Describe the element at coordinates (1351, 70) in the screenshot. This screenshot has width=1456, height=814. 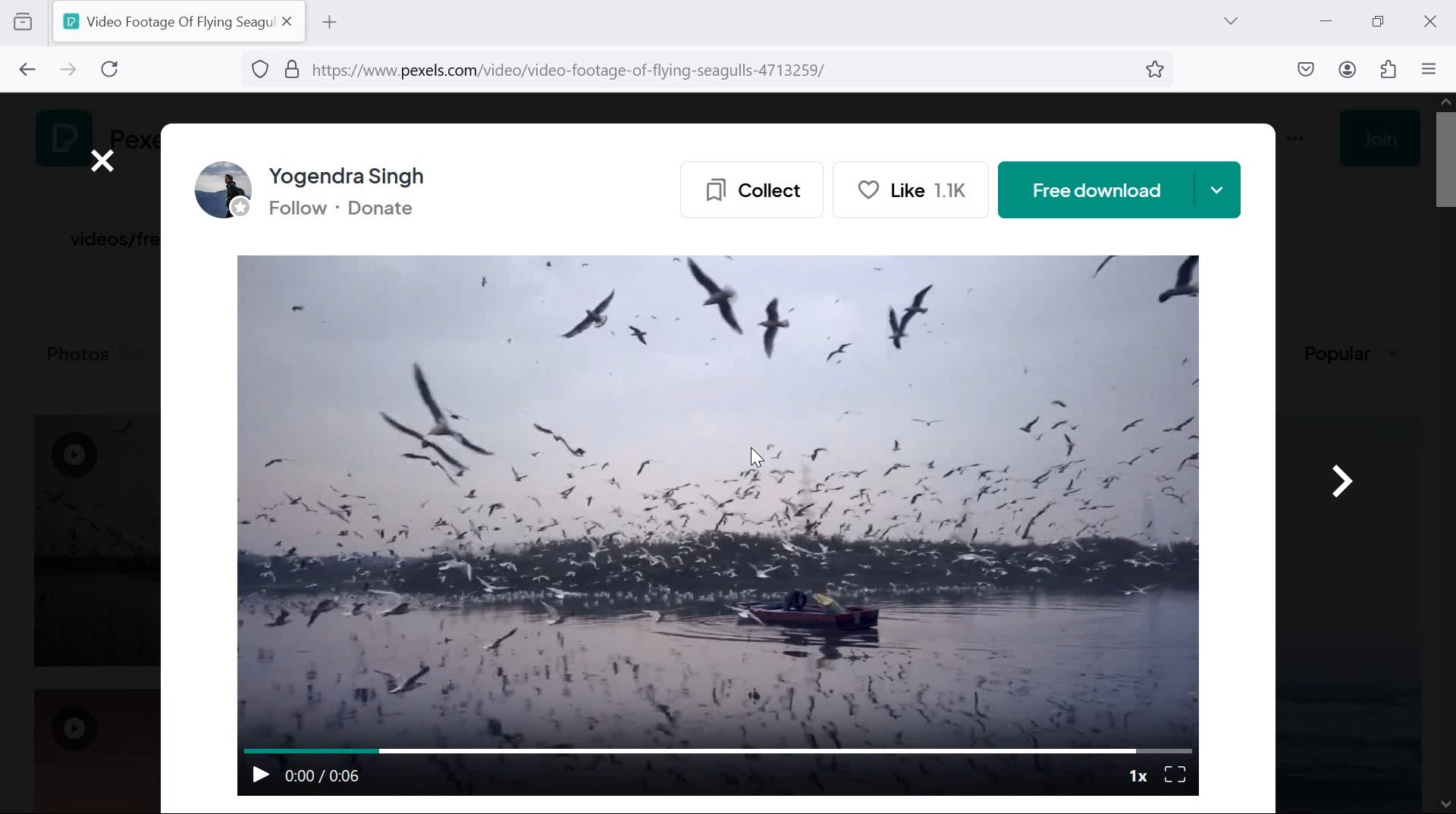
I see `account` at that location.